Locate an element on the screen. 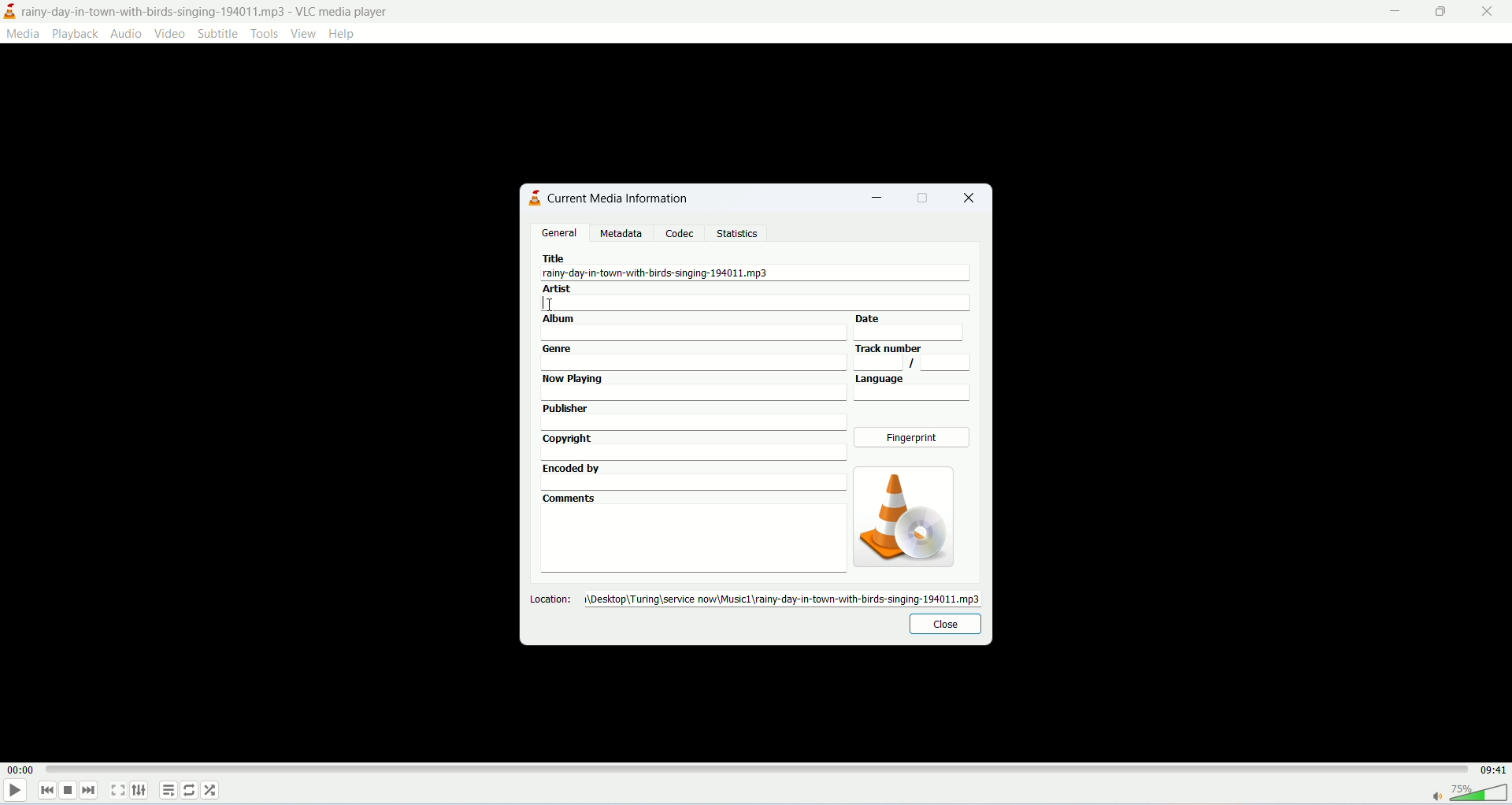 The width and height of the screenshot is (1512, 805). audio is located at coordinates (128, 33).